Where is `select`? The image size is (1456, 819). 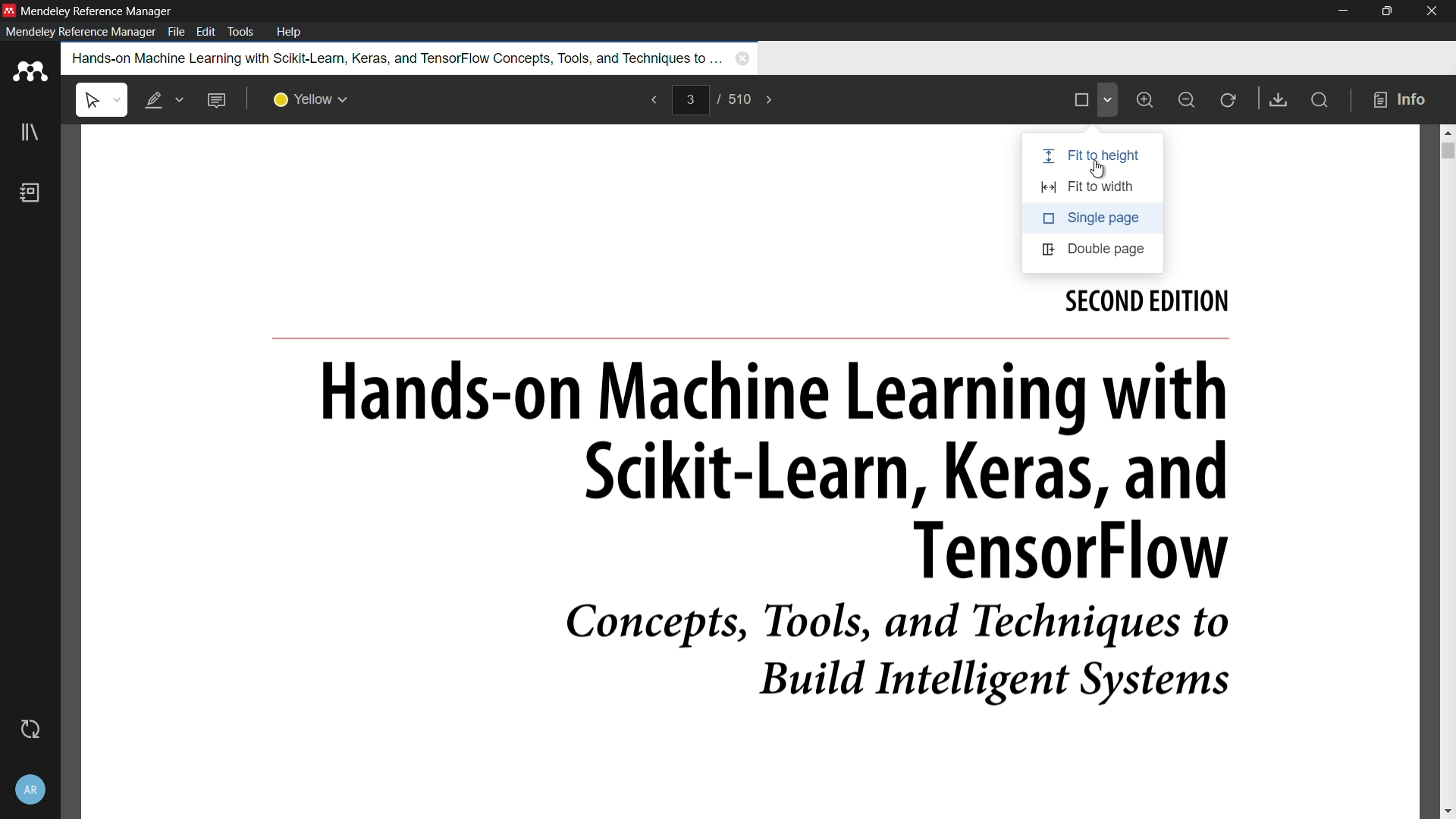
select is located at coordinates (102, 100).